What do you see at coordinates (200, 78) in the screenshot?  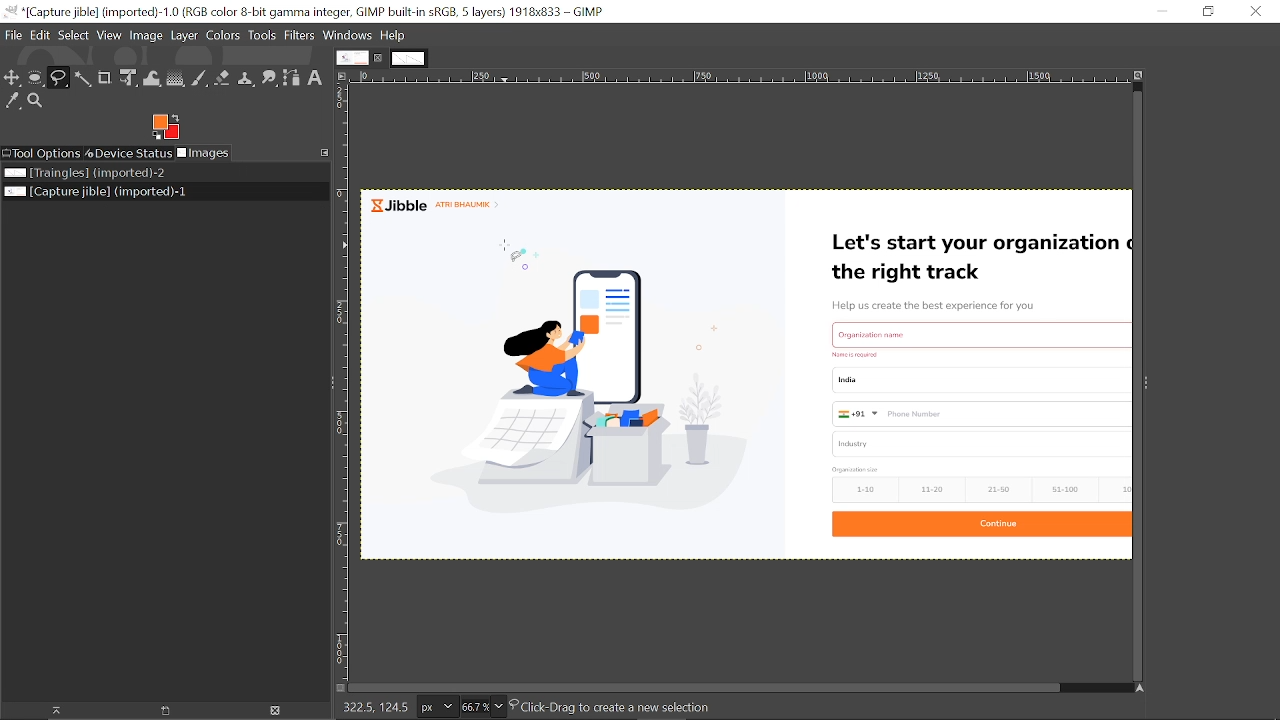 I see `Paintbrush tool` at bounding box center [200, 78].